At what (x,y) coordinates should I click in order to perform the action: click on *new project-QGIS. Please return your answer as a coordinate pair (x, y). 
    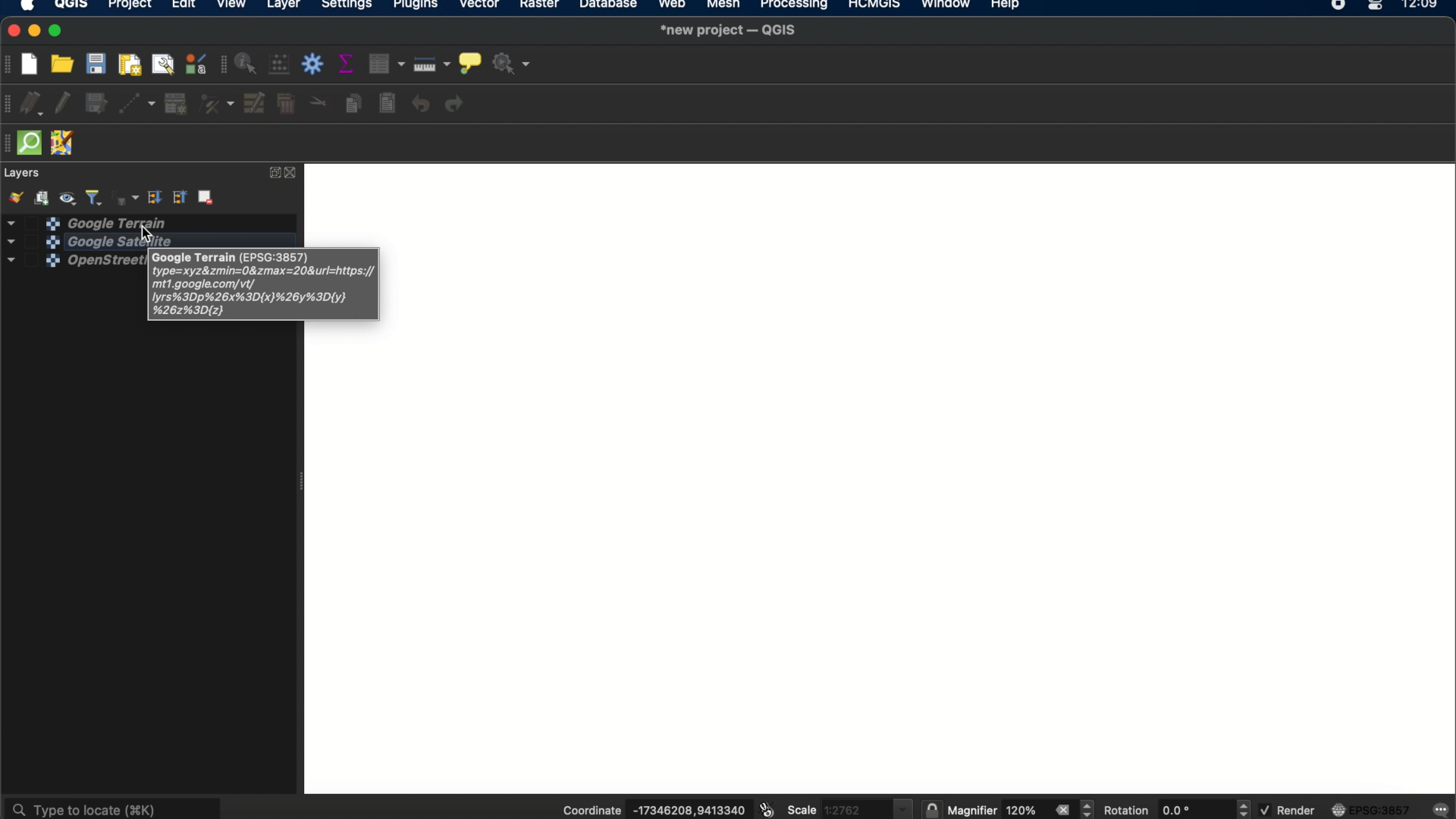
    Looking at the image, I should click on (730, 31).